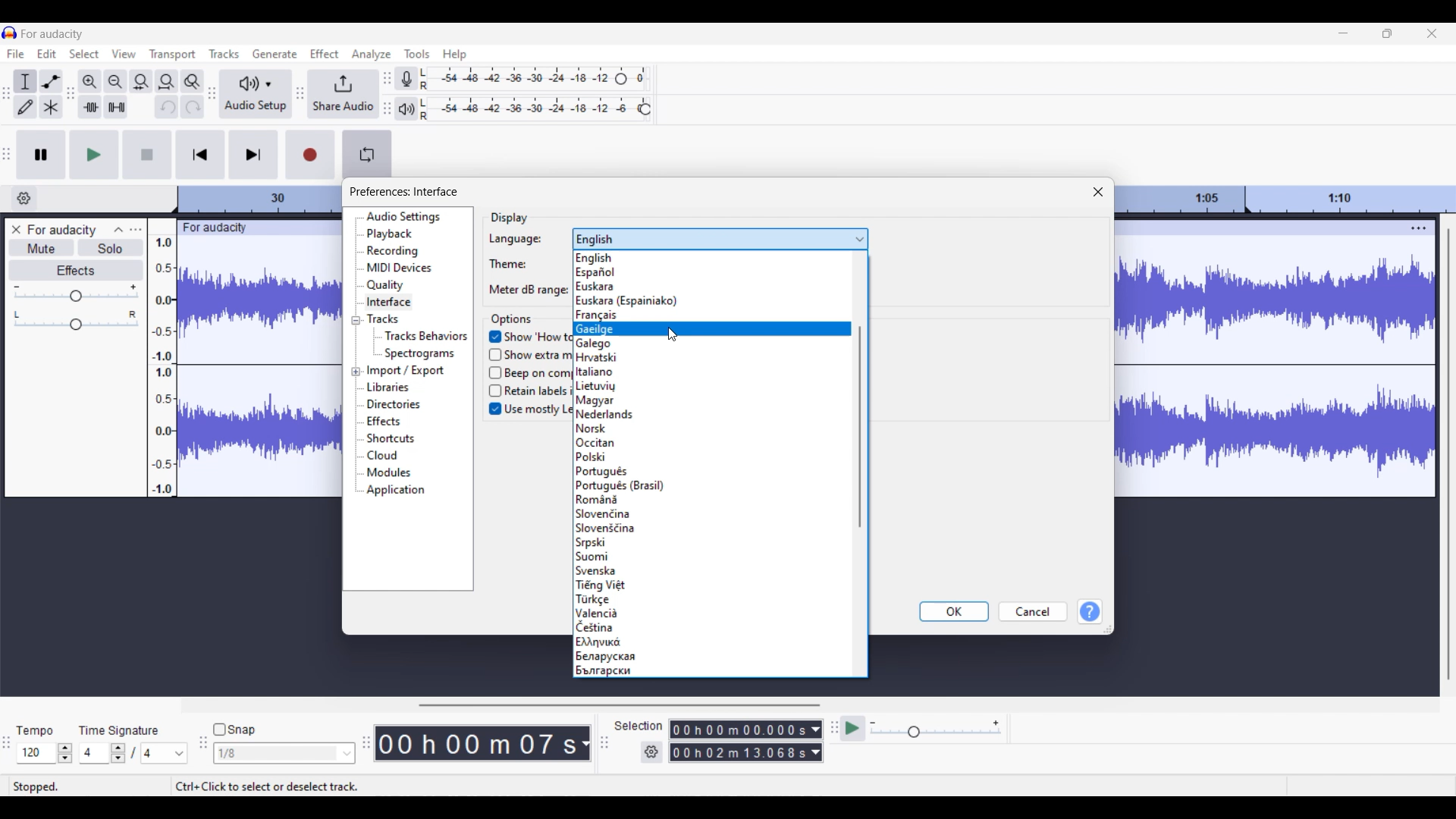 The width and height of the screenshot is (1456, 819). I want to click on [Norsk, so click(592, 430).